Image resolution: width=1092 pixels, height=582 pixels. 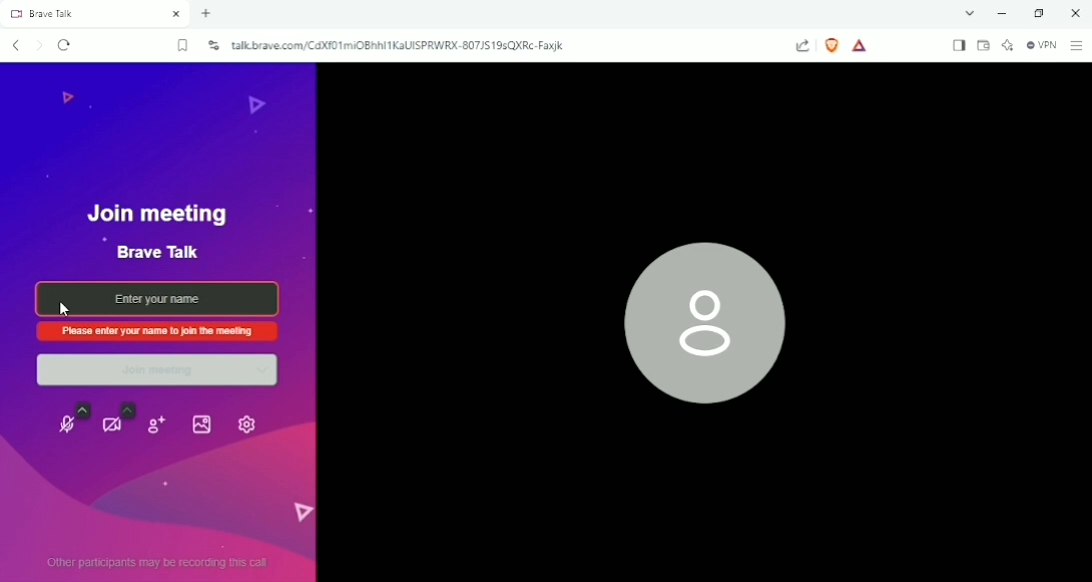 What do you see at coordinates (1007, 45) in the screenshot?
I see `Leo AI` at bounding box center [1007, 45].